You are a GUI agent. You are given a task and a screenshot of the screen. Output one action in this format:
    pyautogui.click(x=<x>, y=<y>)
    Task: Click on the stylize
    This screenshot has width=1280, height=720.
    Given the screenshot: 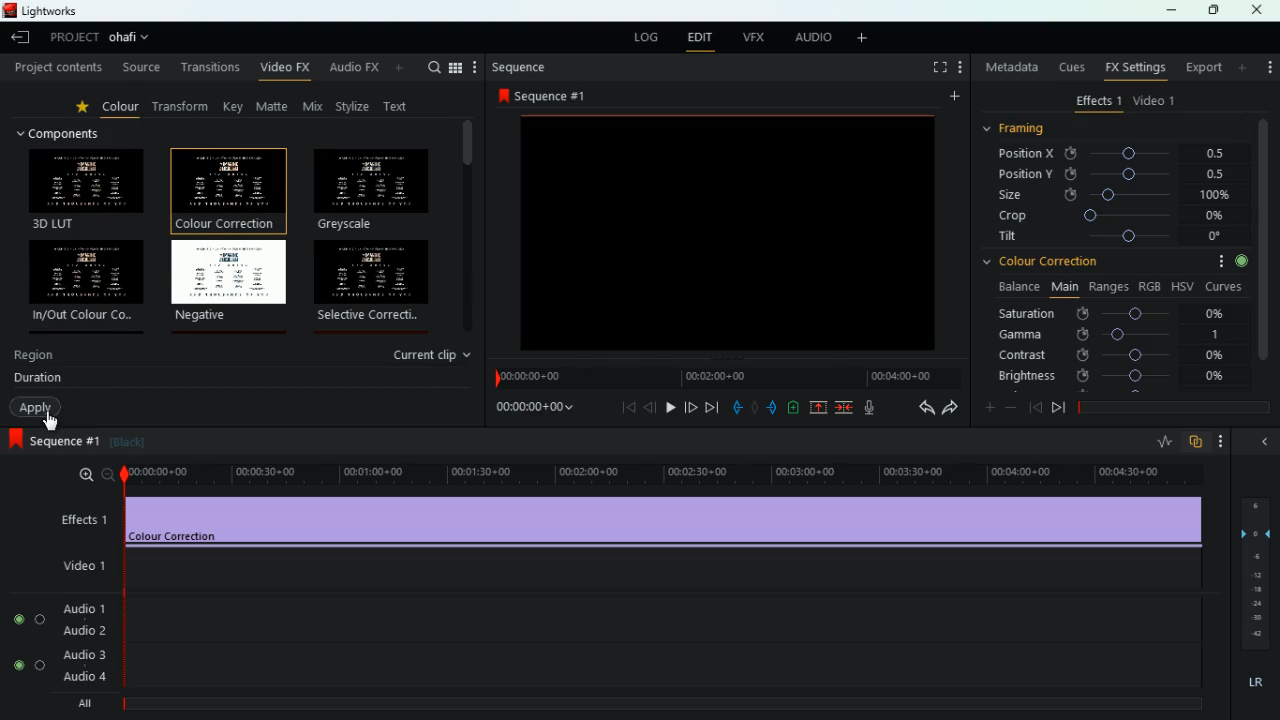 What is the action you would take?
    pyautogui.click(x=355, y=108)
    